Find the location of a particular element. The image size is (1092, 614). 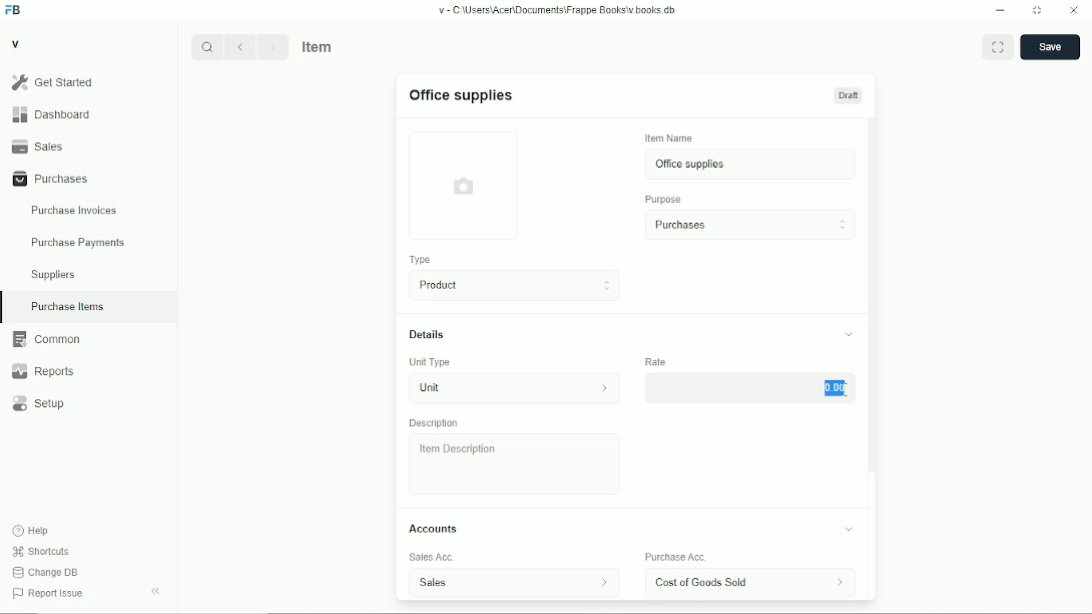

item name is located at coordinates (670, 138).